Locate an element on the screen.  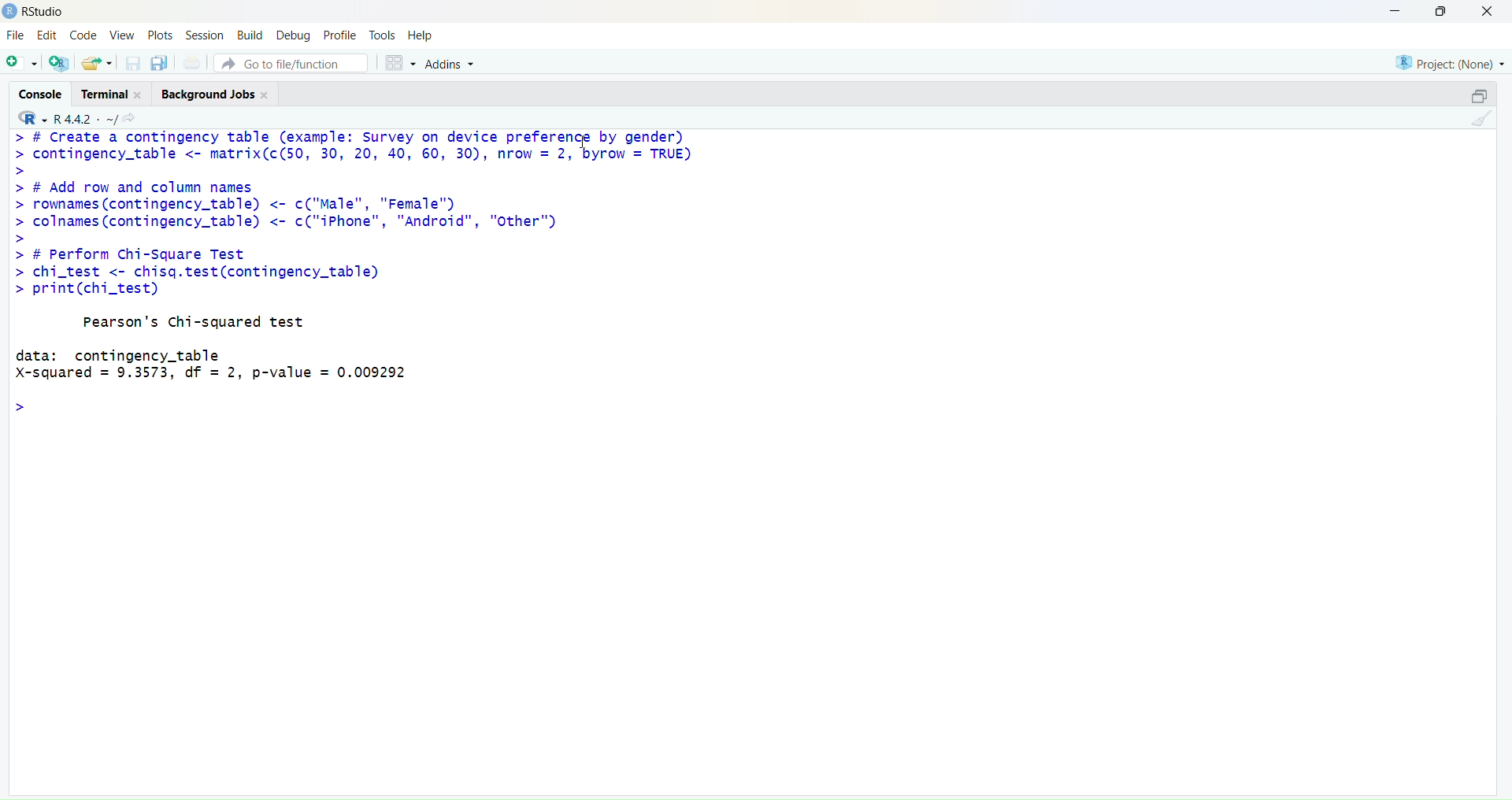
copy is located at coordinates (159, 62).